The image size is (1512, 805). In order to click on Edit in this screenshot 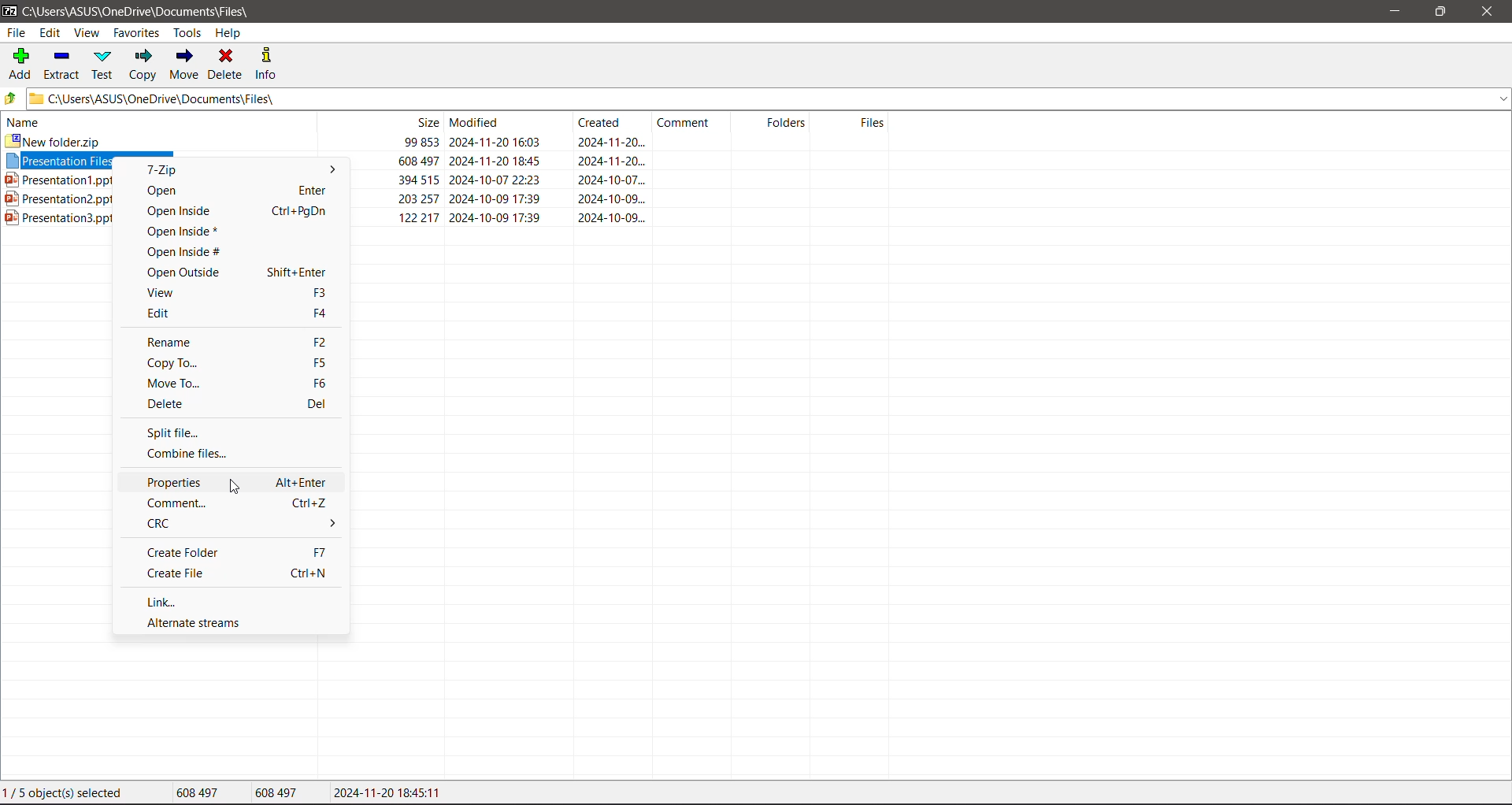, I will do `click(238, 313)`.